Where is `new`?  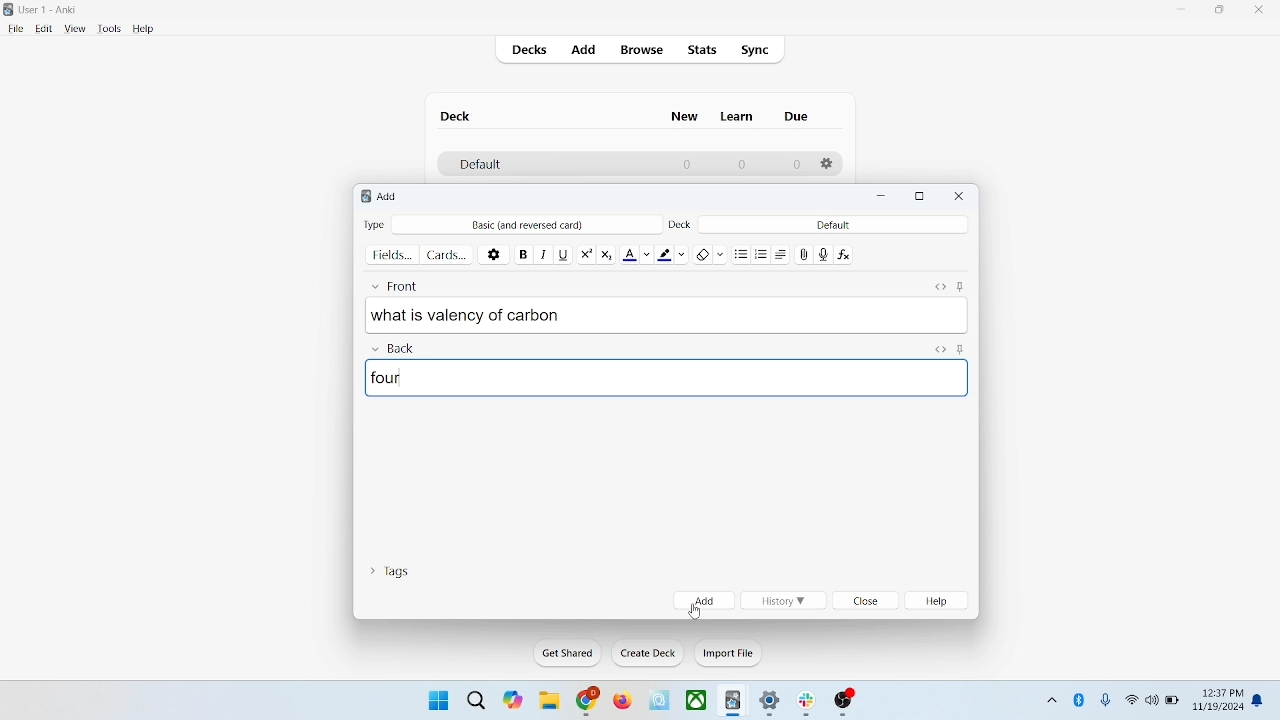 new is located at coordinates (685, 116).